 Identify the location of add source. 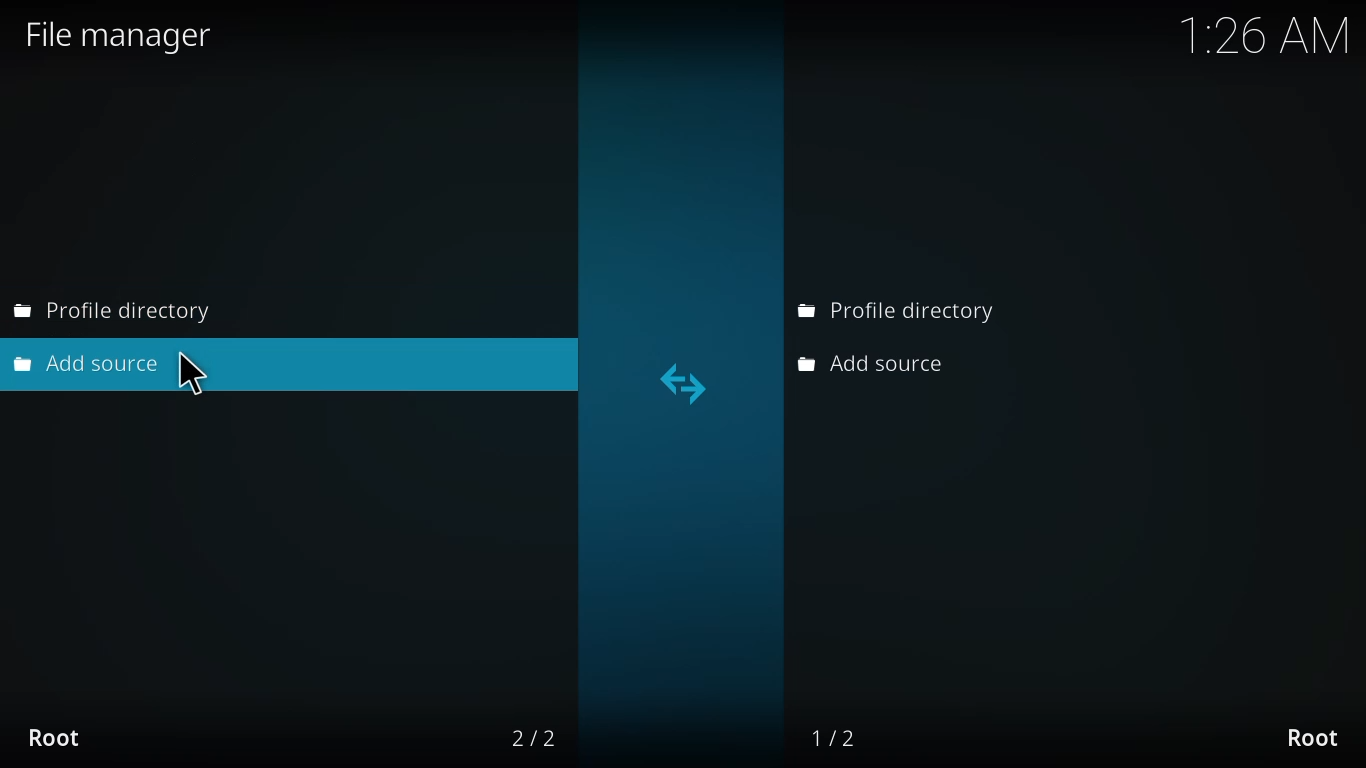
(97, 362).